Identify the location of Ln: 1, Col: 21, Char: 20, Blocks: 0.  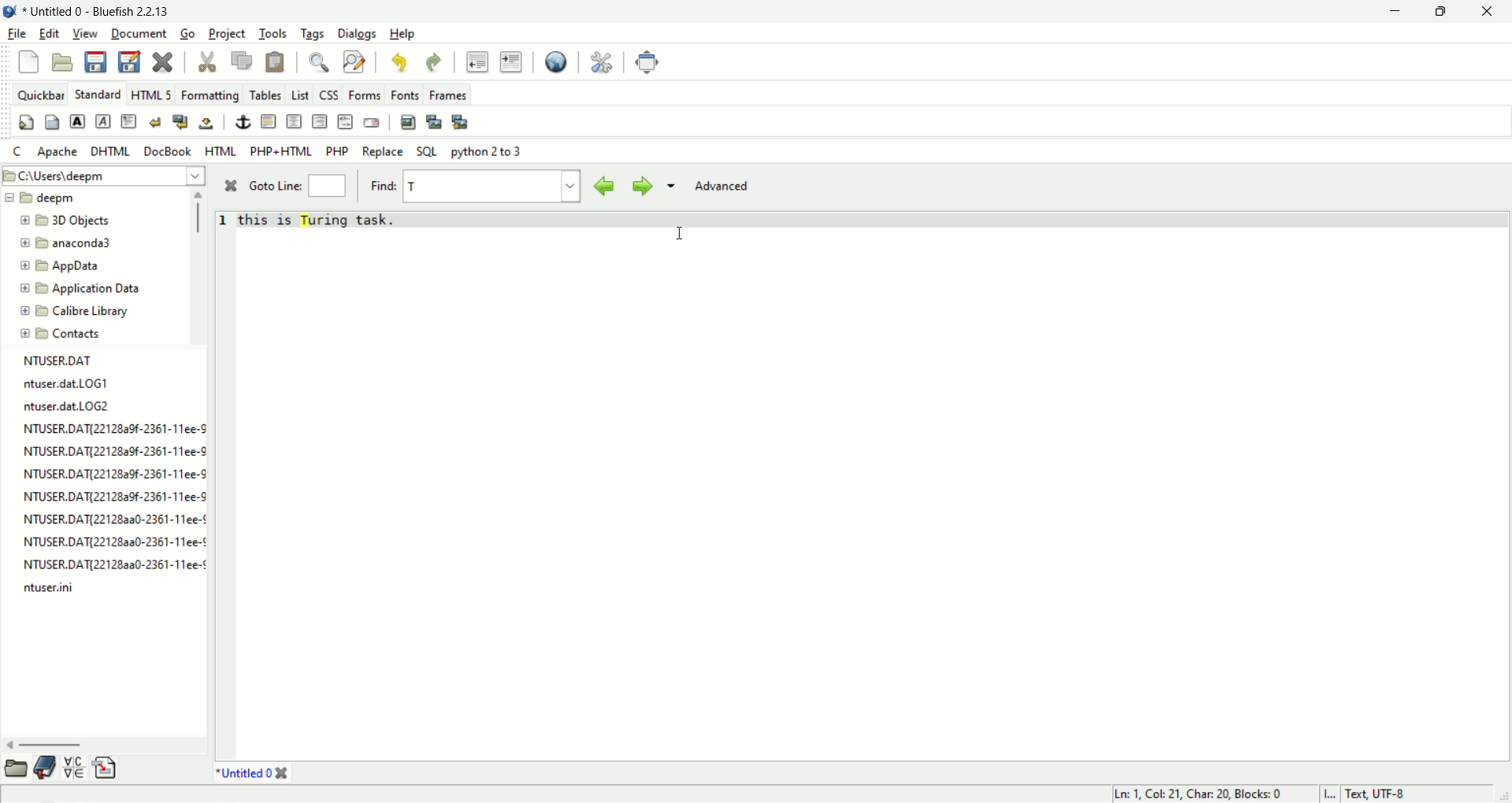
(1195, 791).